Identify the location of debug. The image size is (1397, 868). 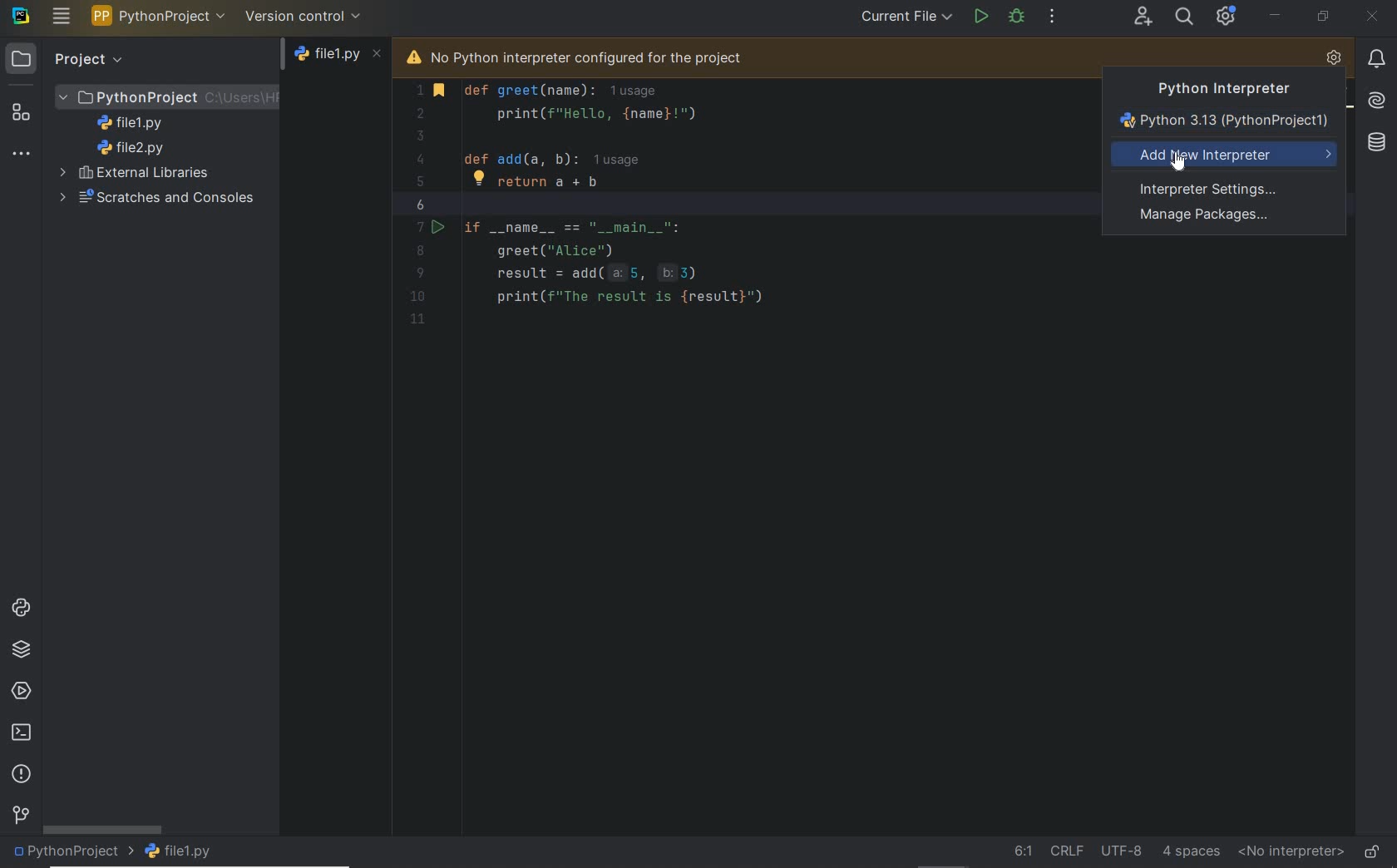
(1018, 16).